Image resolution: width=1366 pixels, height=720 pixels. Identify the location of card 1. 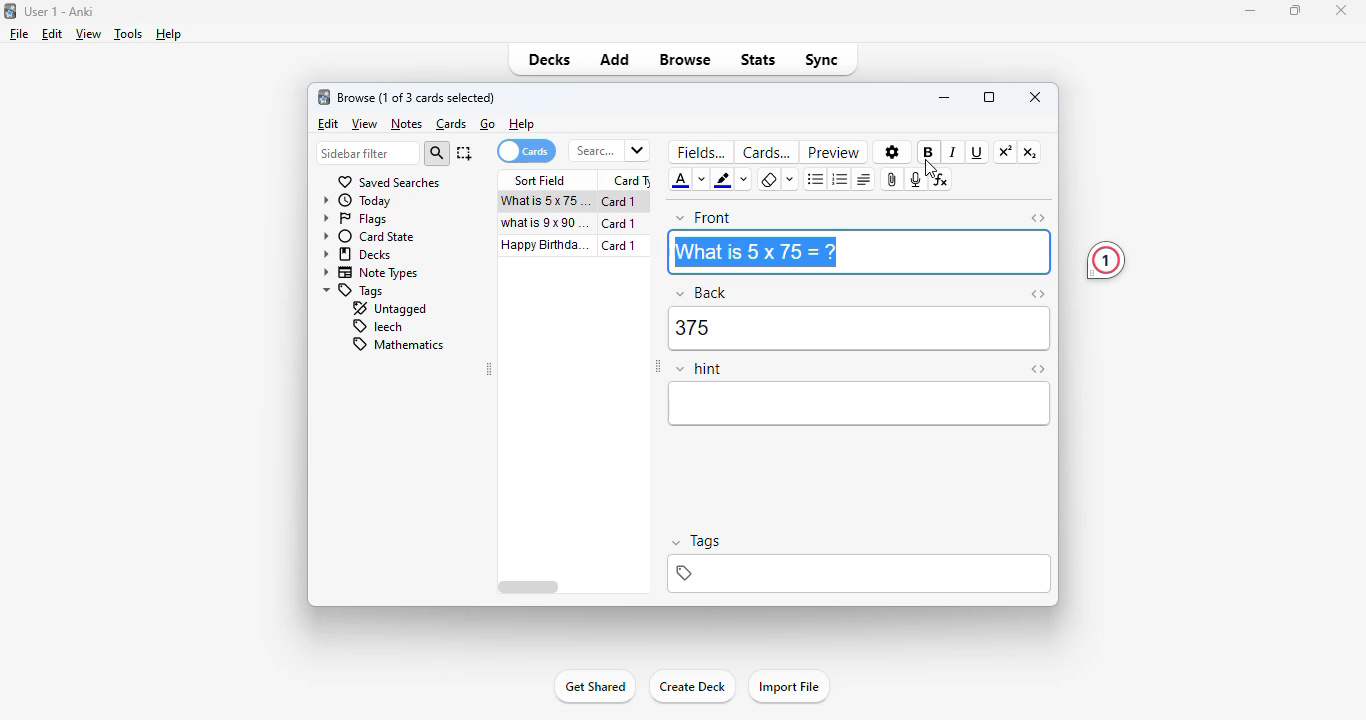
(619, 202).